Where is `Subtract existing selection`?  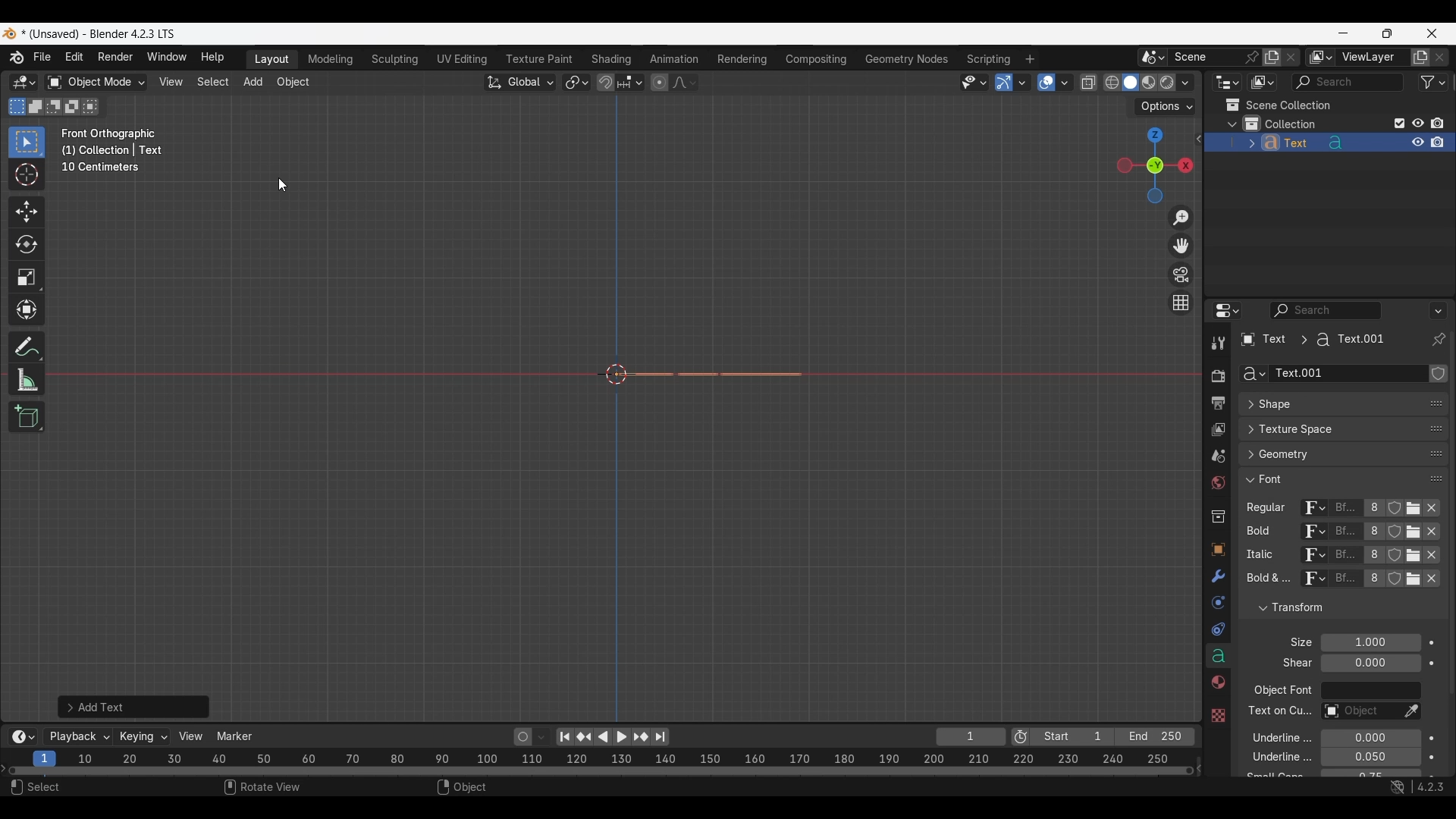 Subtract existing selection is located at coordinates (54, 107).